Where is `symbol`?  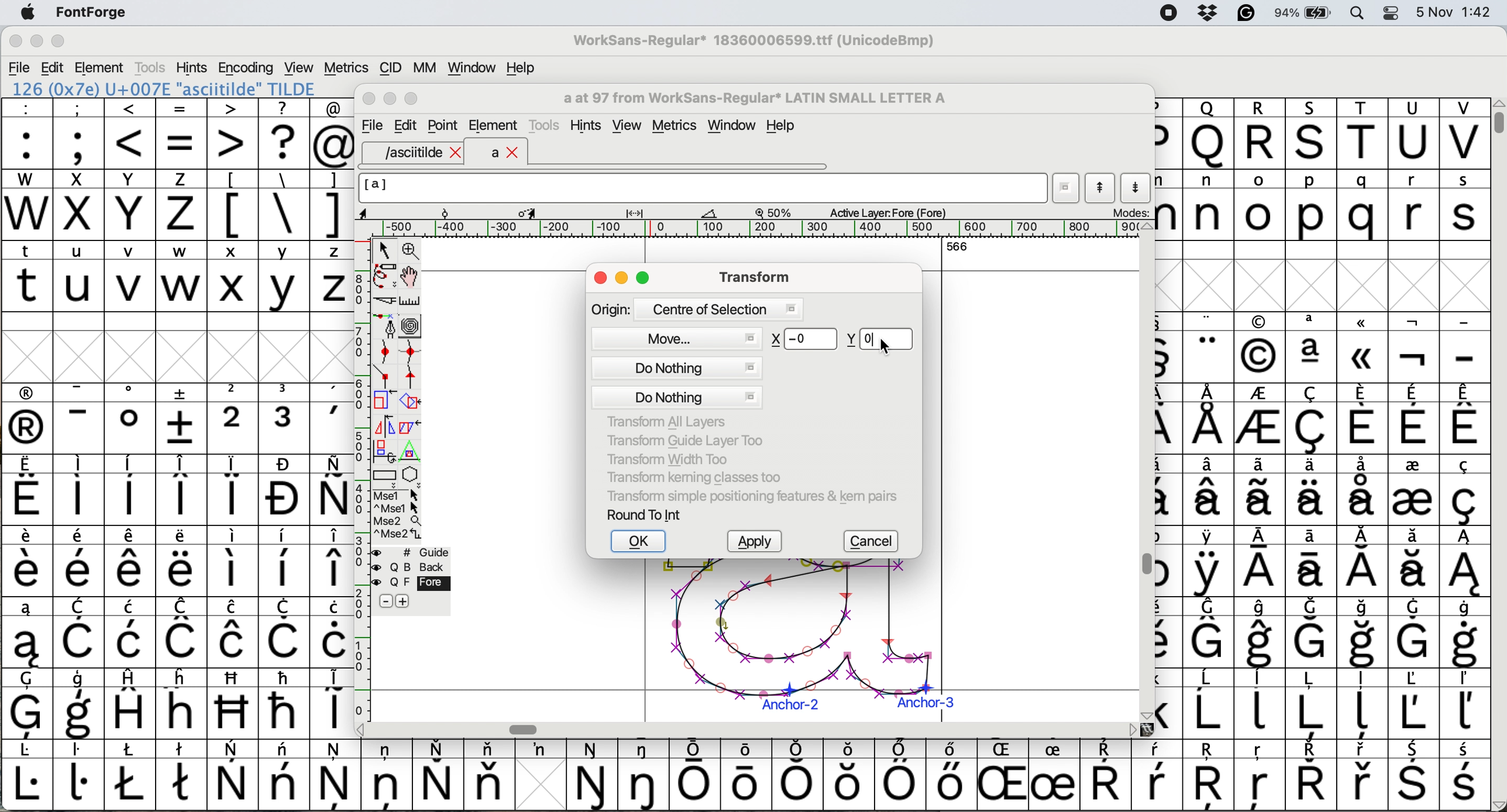 symbol is located at coordinates (438, 775).